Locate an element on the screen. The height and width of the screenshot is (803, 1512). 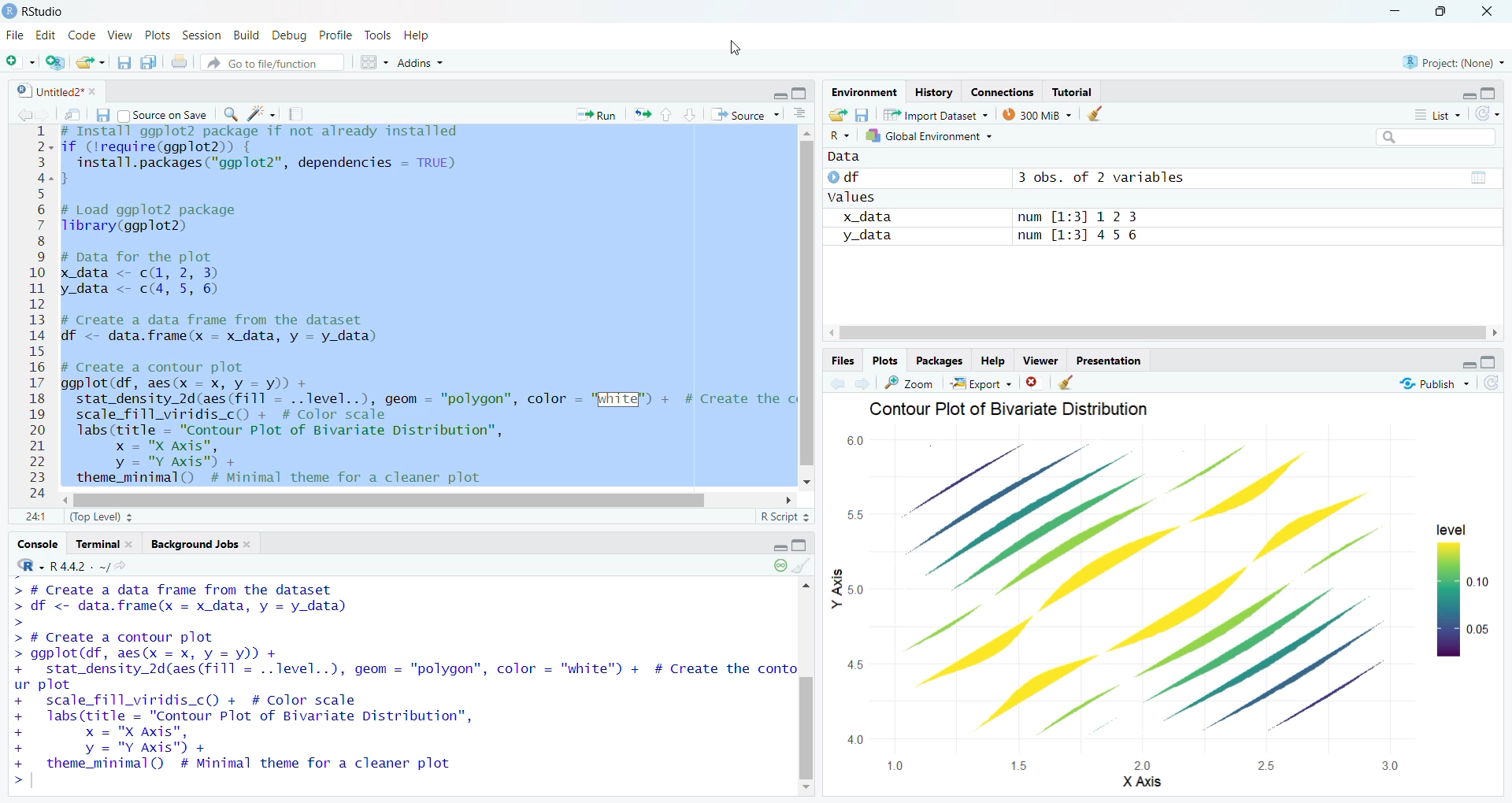
save is located at coordinates (865, 114).